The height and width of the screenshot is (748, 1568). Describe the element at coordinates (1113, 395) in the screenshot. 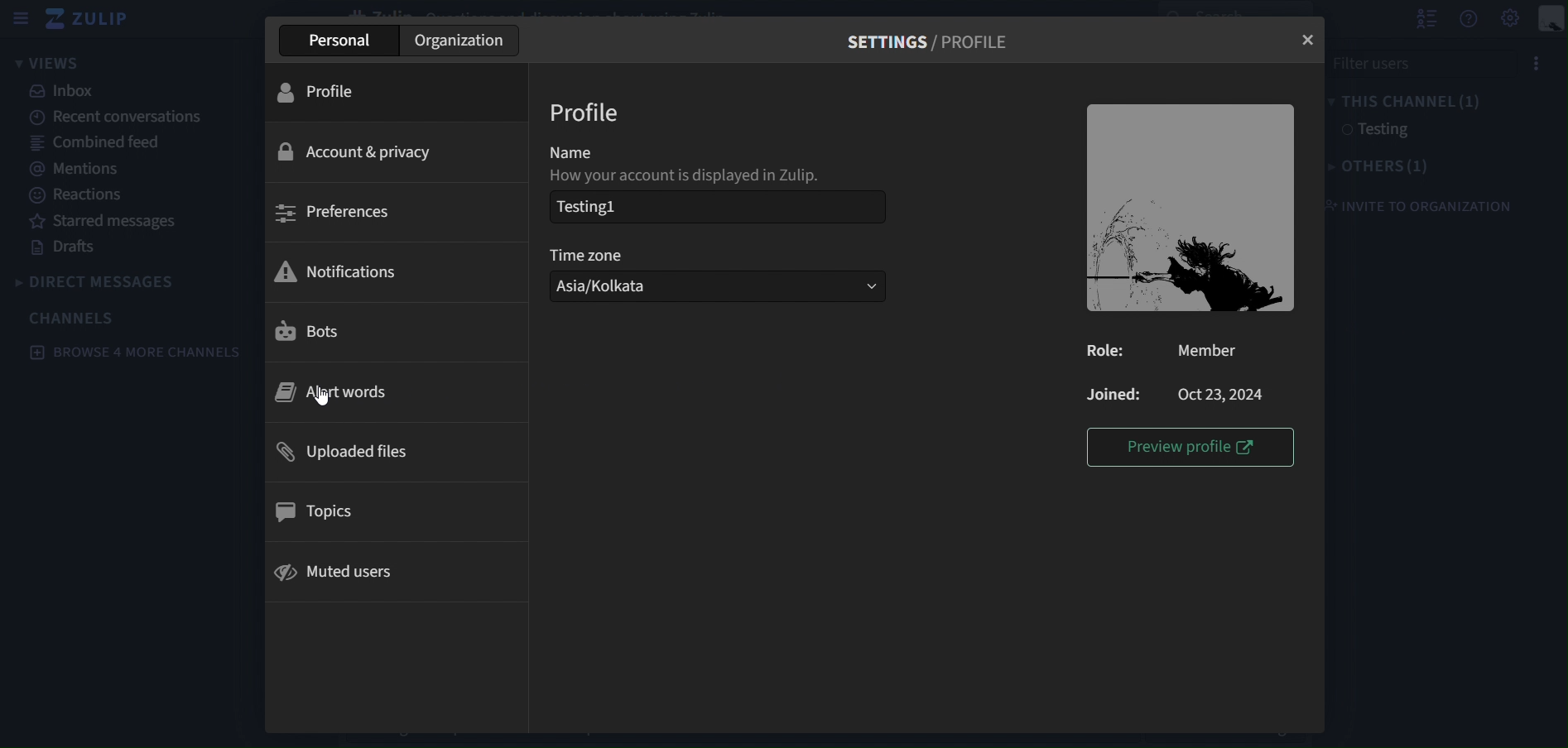

I see `Joined:` at that location.